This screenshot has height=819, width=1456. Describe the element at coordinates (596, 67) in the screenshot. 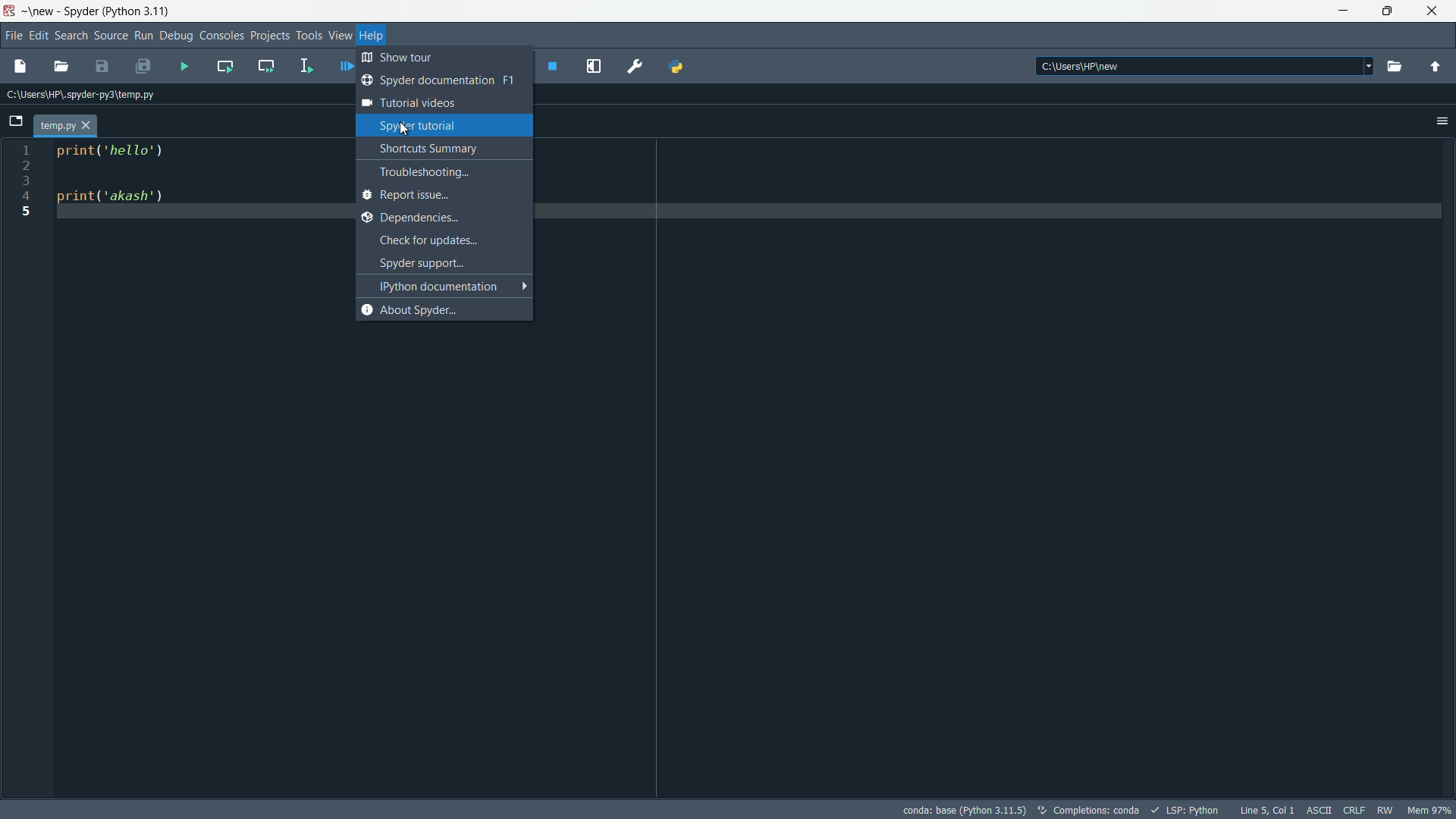

I see `maximize current pane` at that location.